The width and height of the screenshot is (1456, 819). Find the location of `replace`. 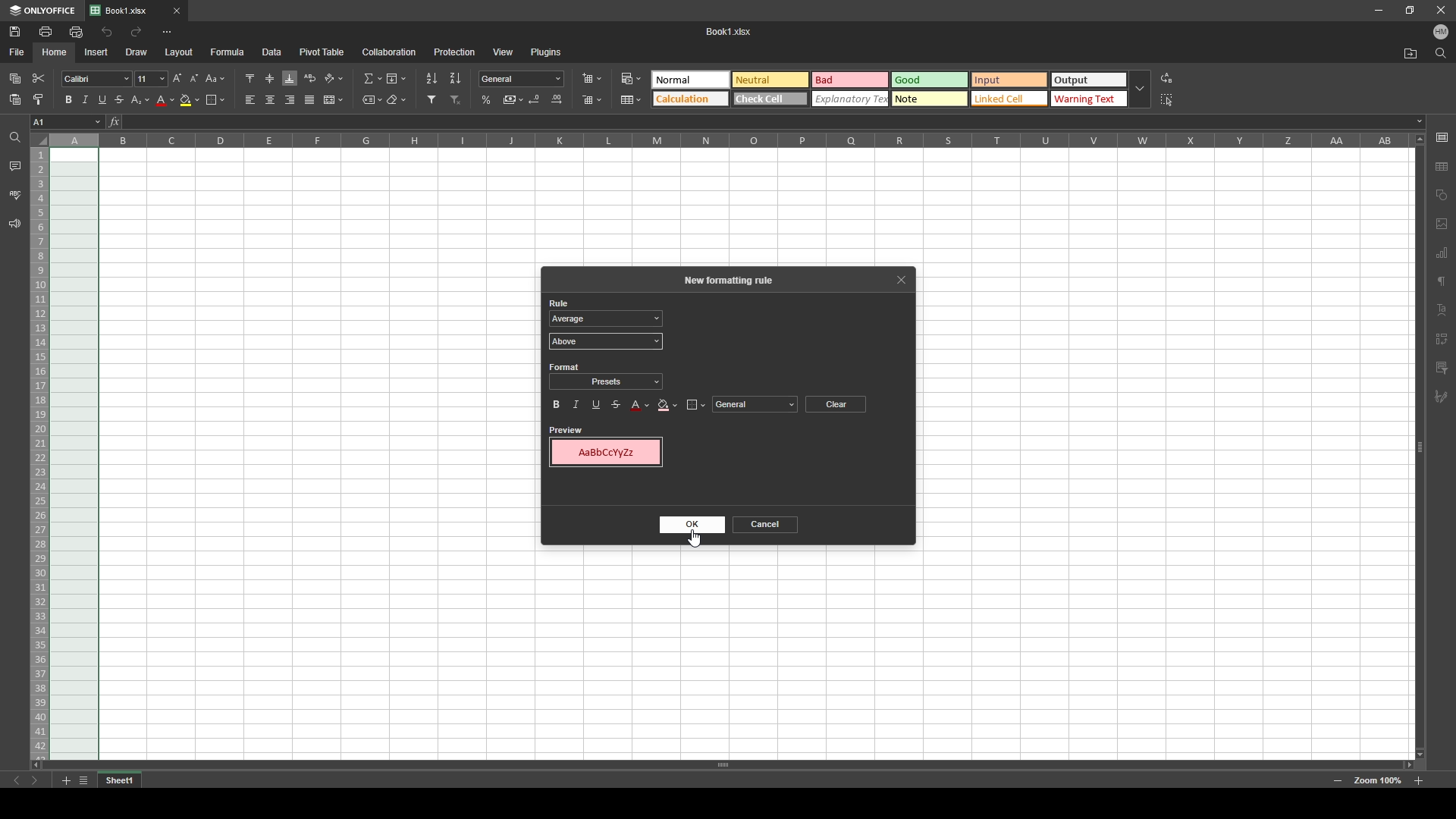

replace is located at coordinates (1168, 79).